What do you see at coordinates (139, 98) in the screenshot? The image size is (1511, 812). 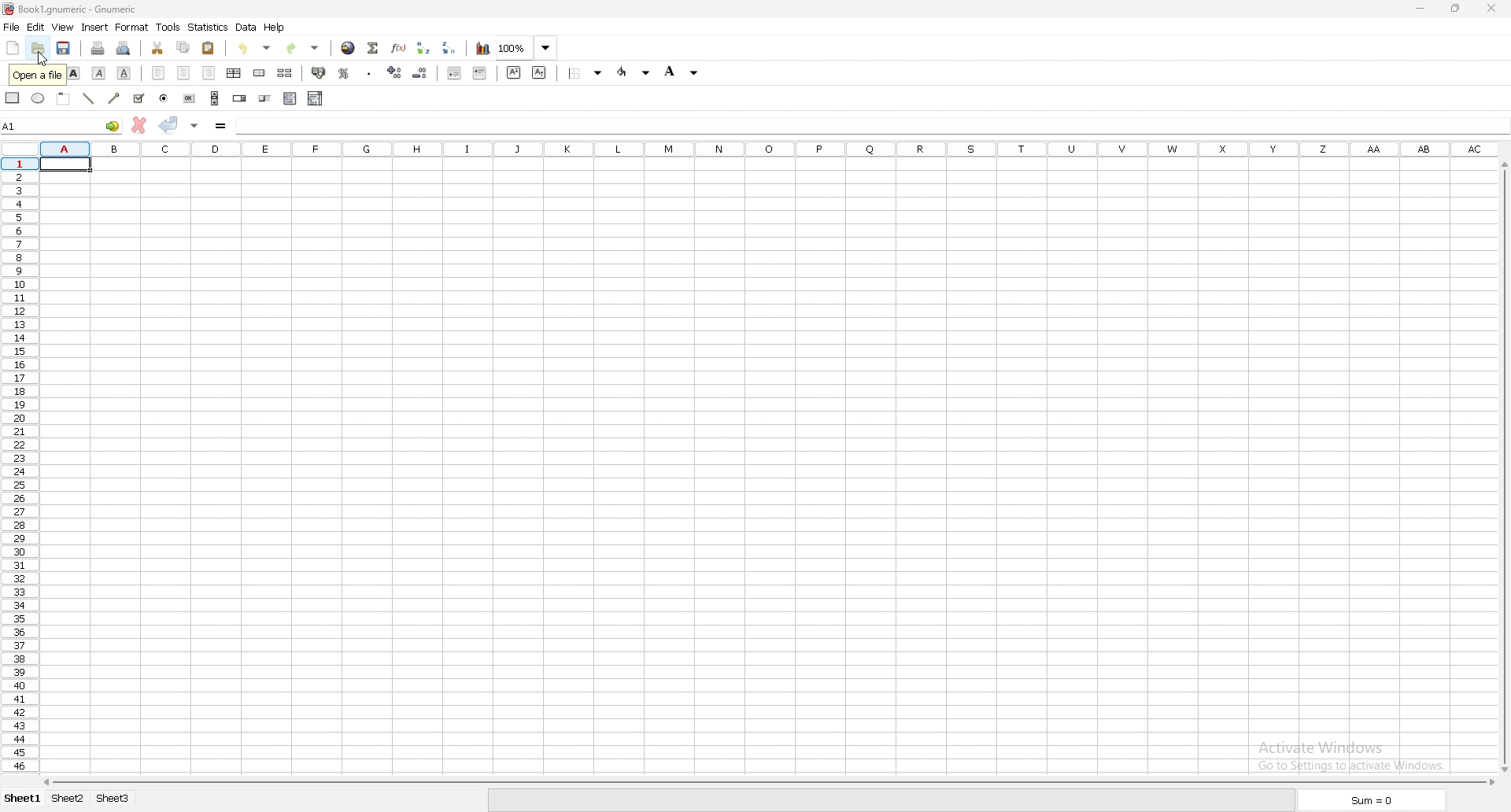 I see `tick box` at bounding box center [139, 98].